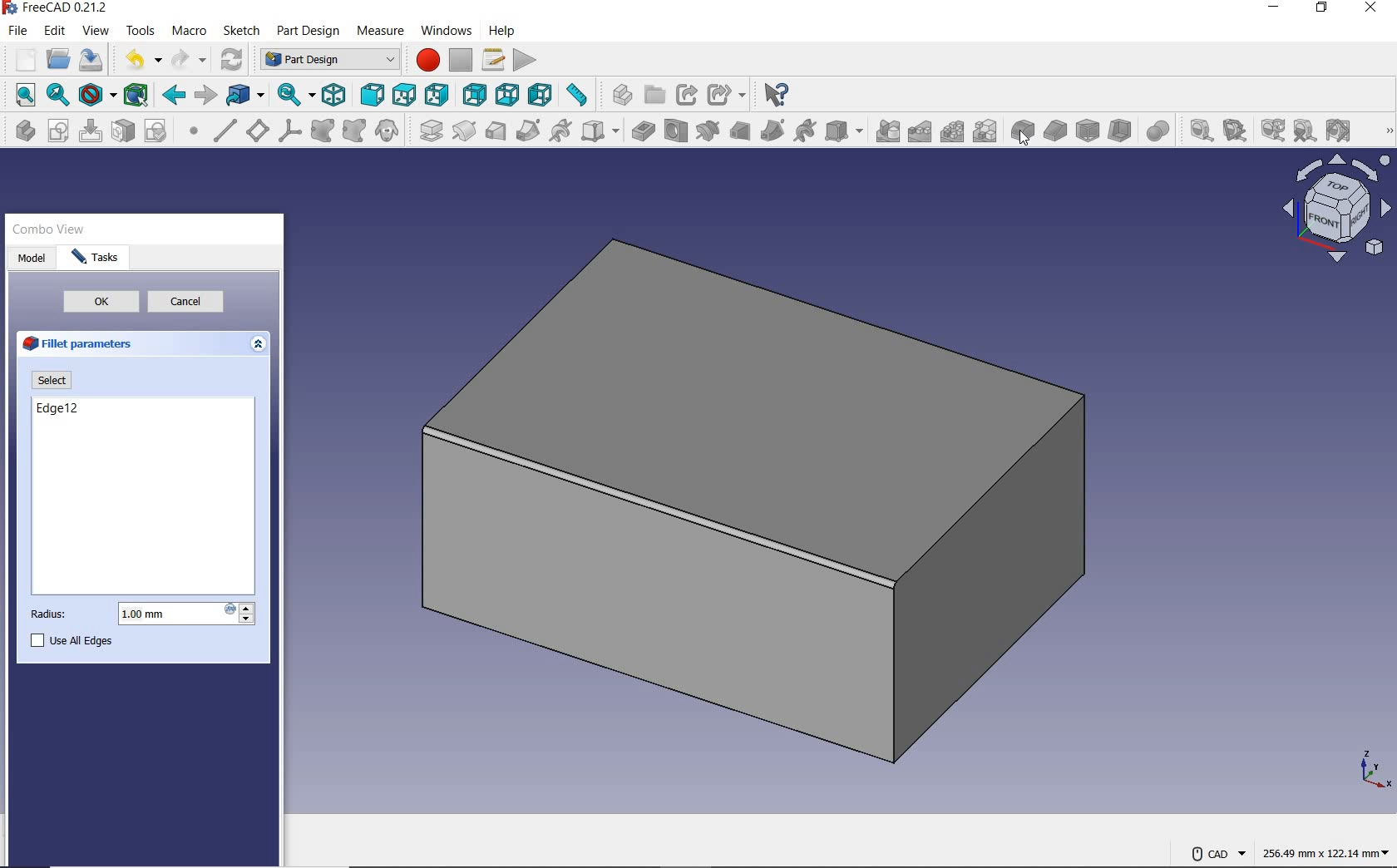 The image size is (1397, 868). I want to click on xyz points, so click(1372, 771).